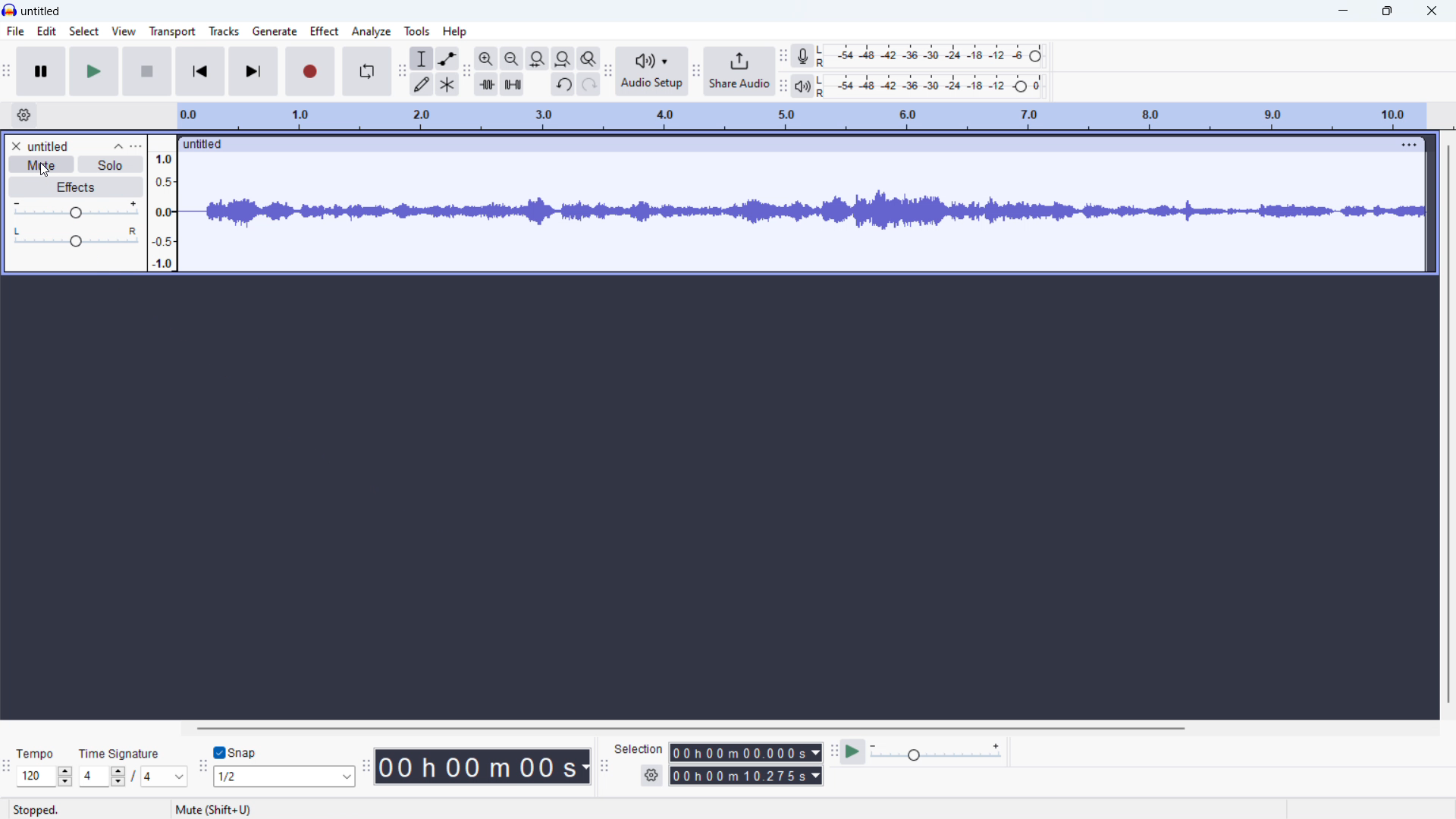 This screenshot has width=1456, height=819. What do you see at coordinates (110, 164) in the screenshot?
I see `solo` at bounding box center [110, 164].